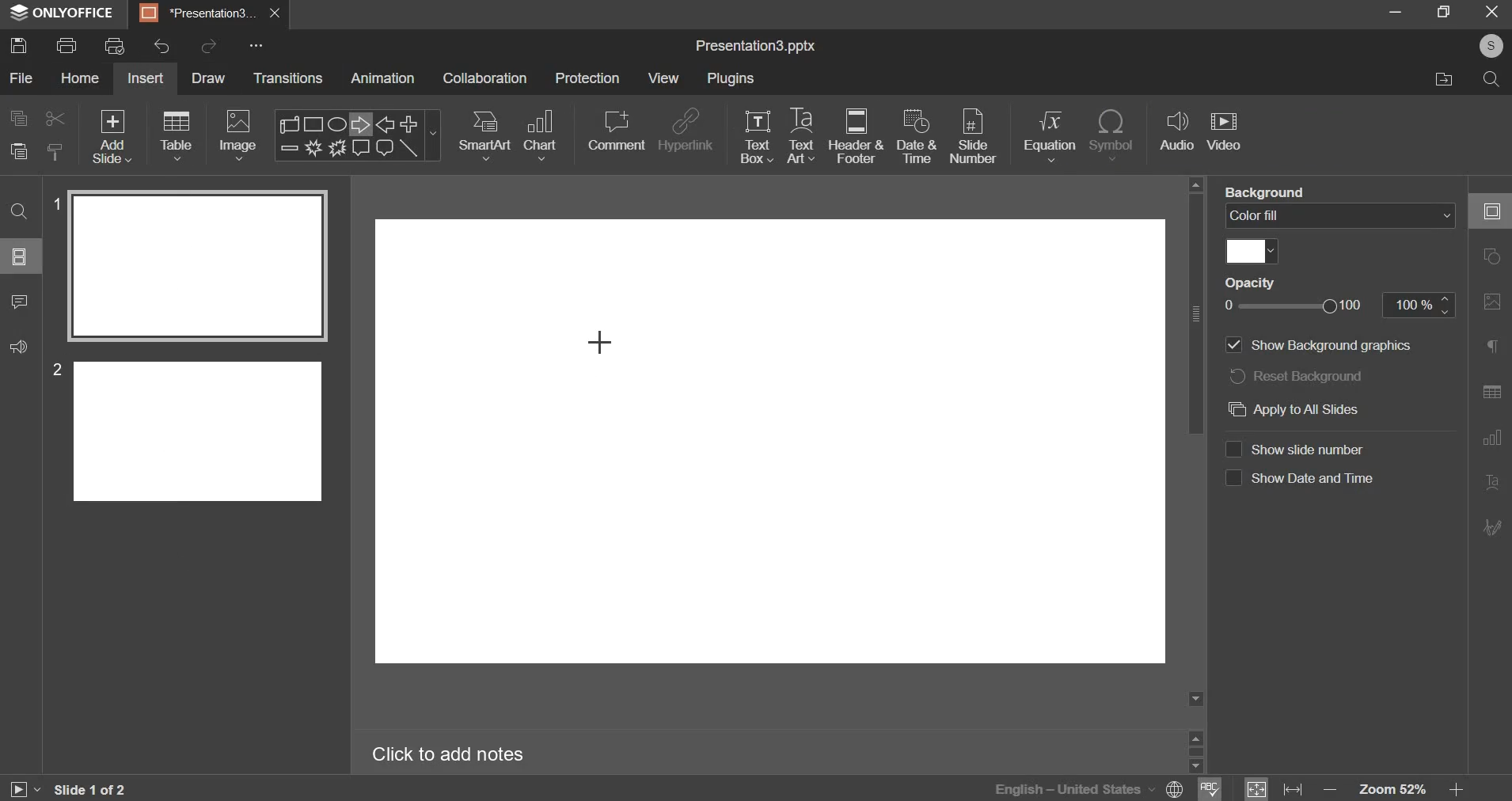 The width and height of the screenshot is (1512, 801). What do you see at coordinates (1492, 526) in the screenshot?
I see `Signature settings` at bounding box center [1492, 526].